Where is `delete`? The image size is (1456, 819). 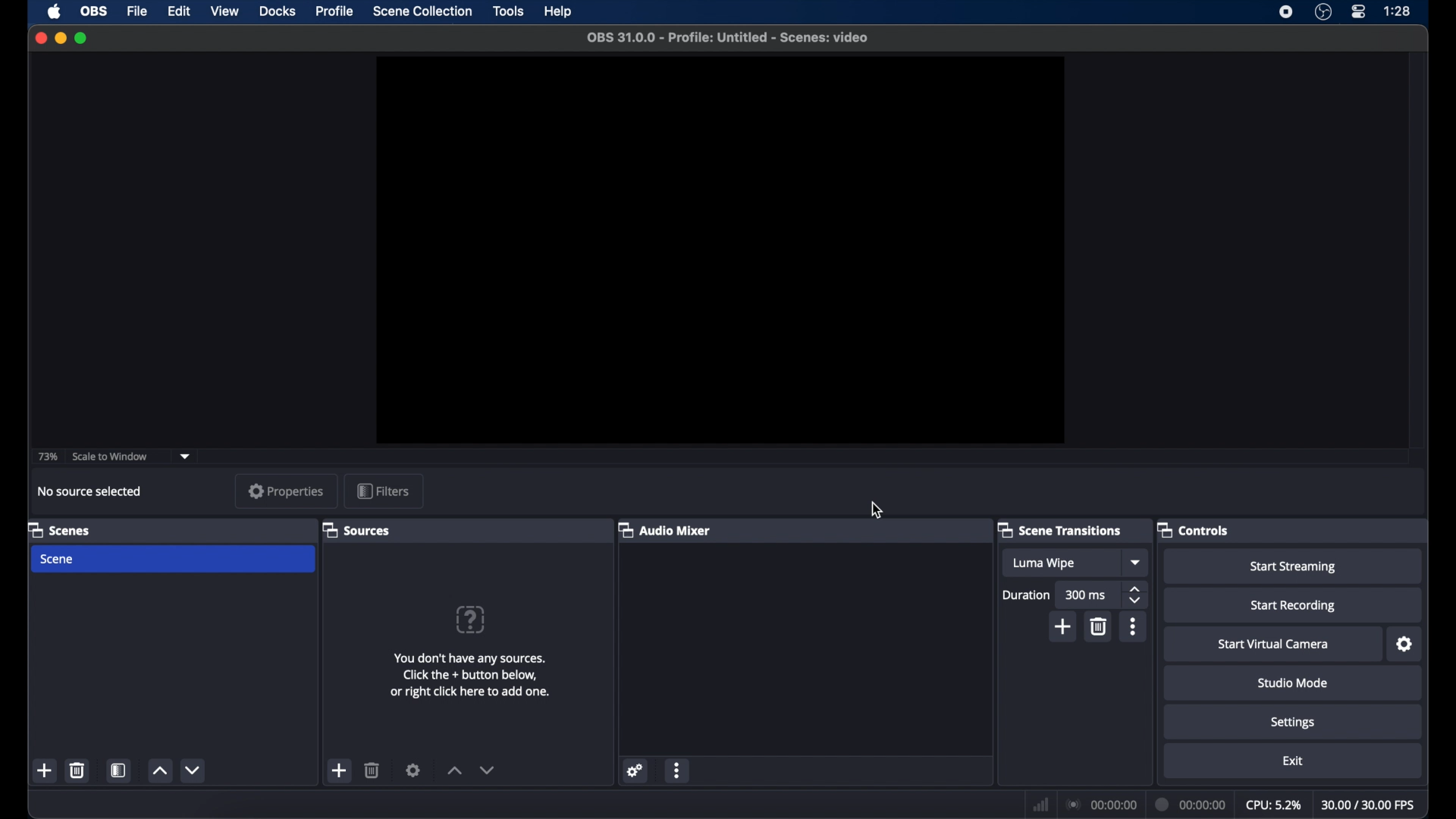 delete is located at coordinates (372, 770).